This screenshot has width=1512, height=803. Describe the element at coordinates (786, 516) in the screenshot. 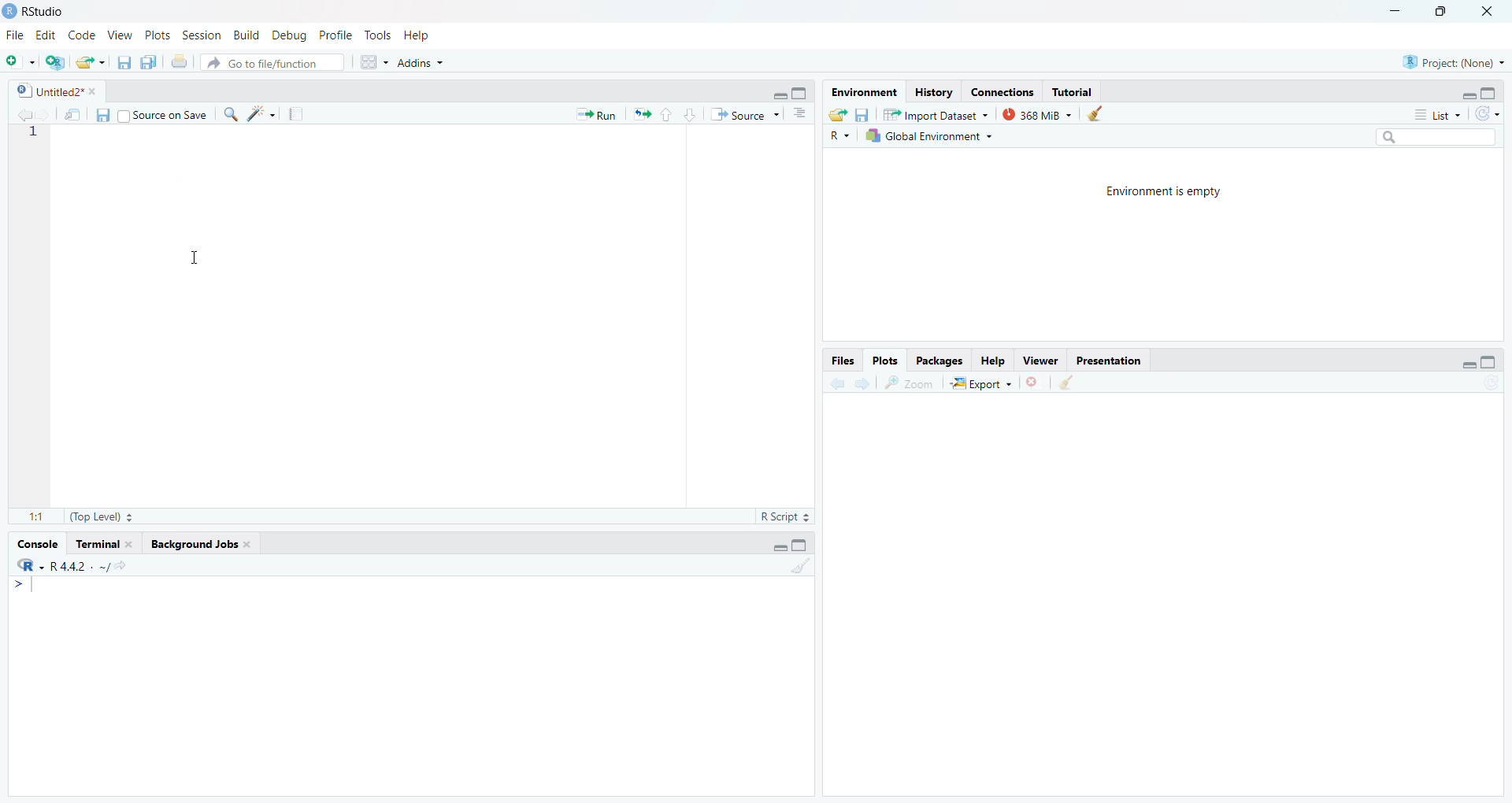

I see `R Script =` at that location.